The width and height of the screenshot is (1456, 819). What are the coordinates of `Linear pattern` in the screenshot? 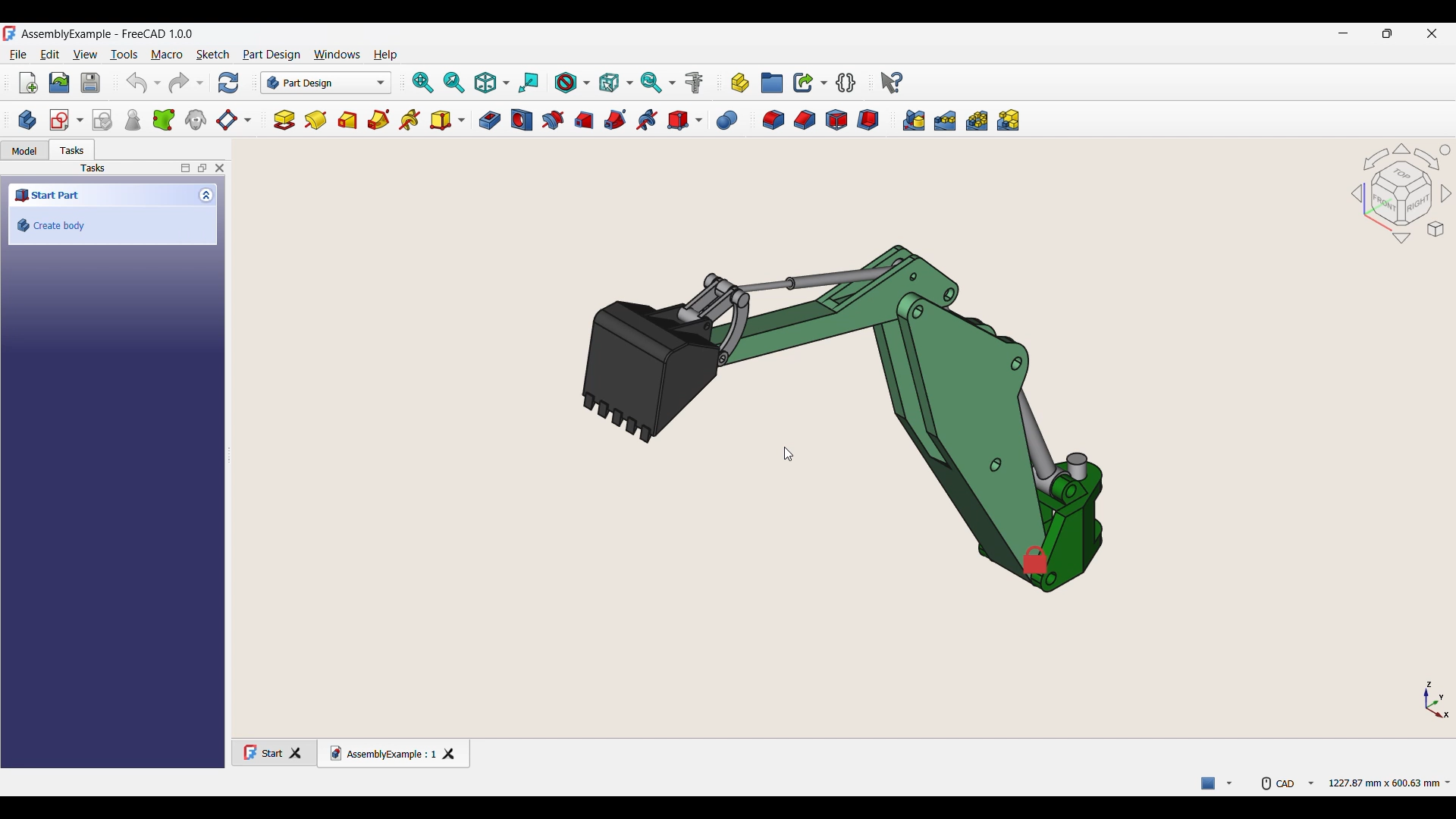 It's located at (945, 121).